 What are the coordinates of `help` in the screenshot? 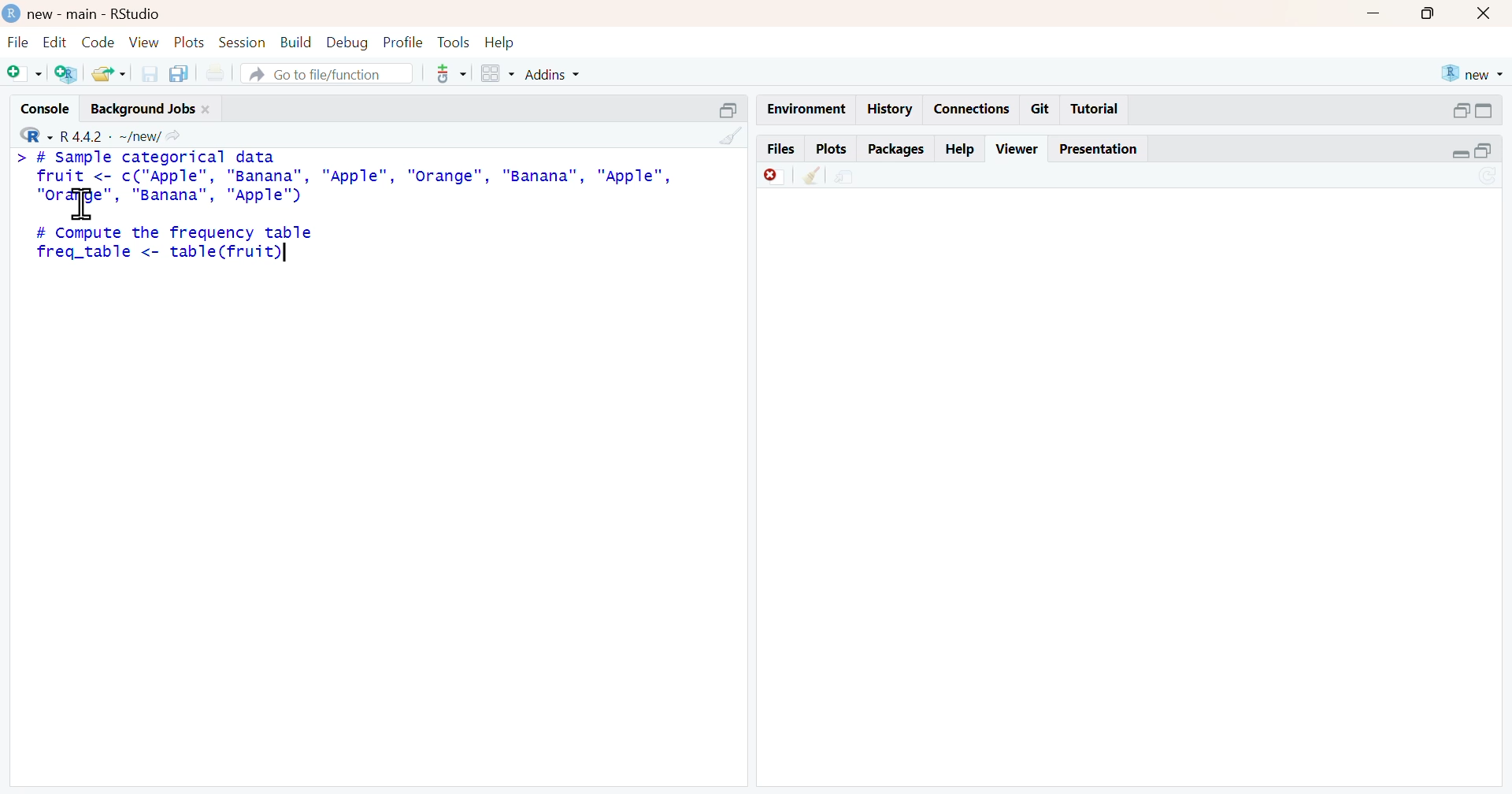 It's located at (962, 149).